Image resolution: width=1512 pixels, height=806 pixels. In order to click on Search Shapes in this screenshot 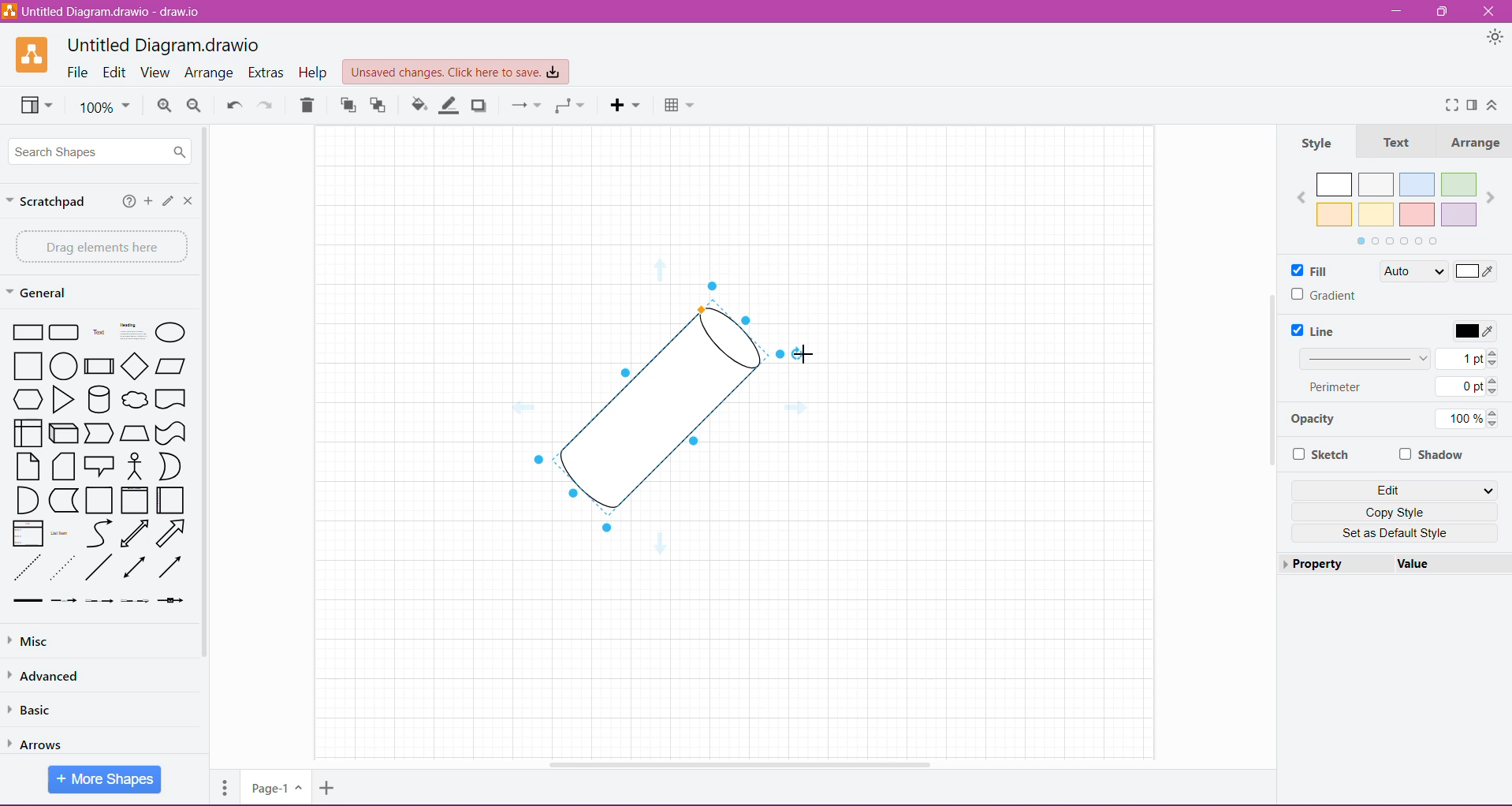, I will do `click(102, 152)`.